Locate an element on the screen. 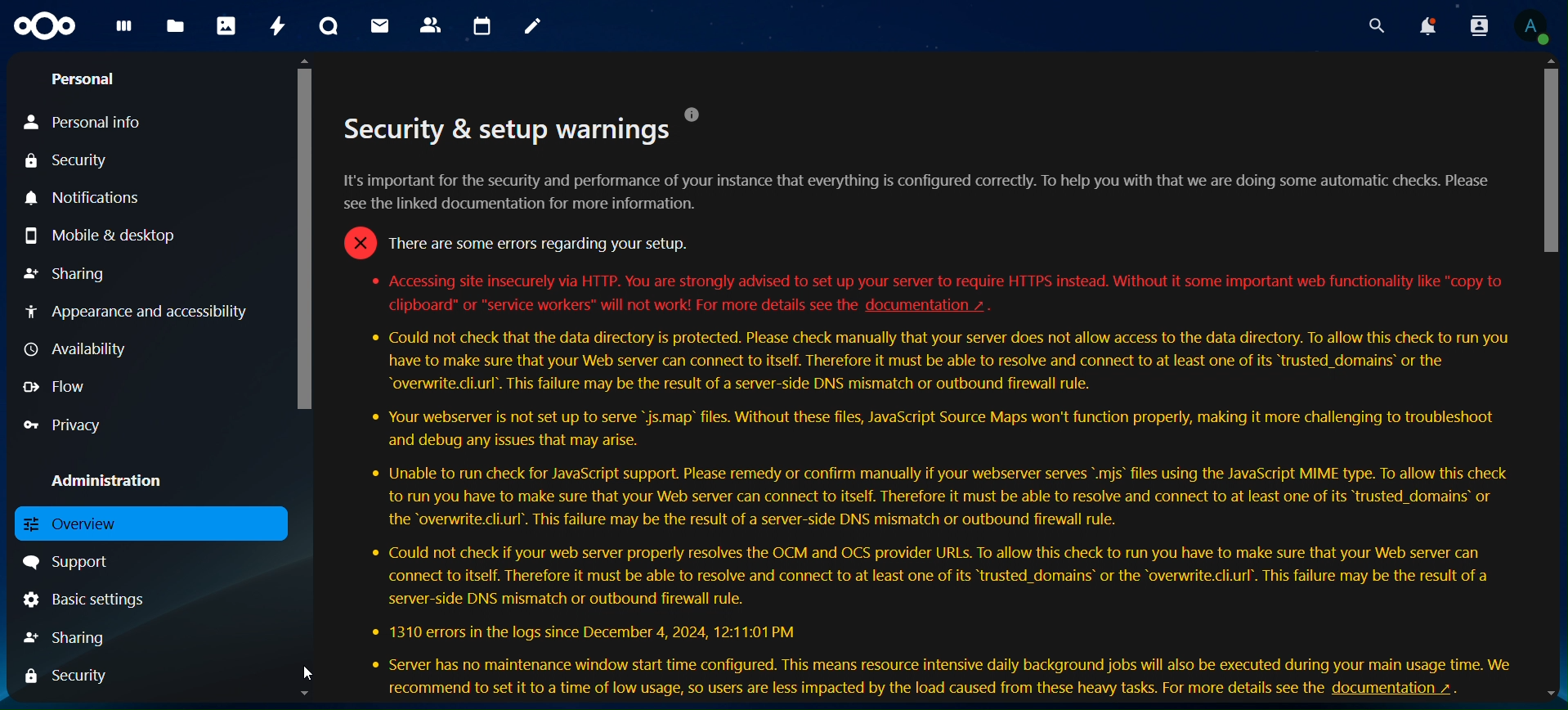 The height and width of the screenshot is (710, 1568). calendar is located at coordinates (482, 24).